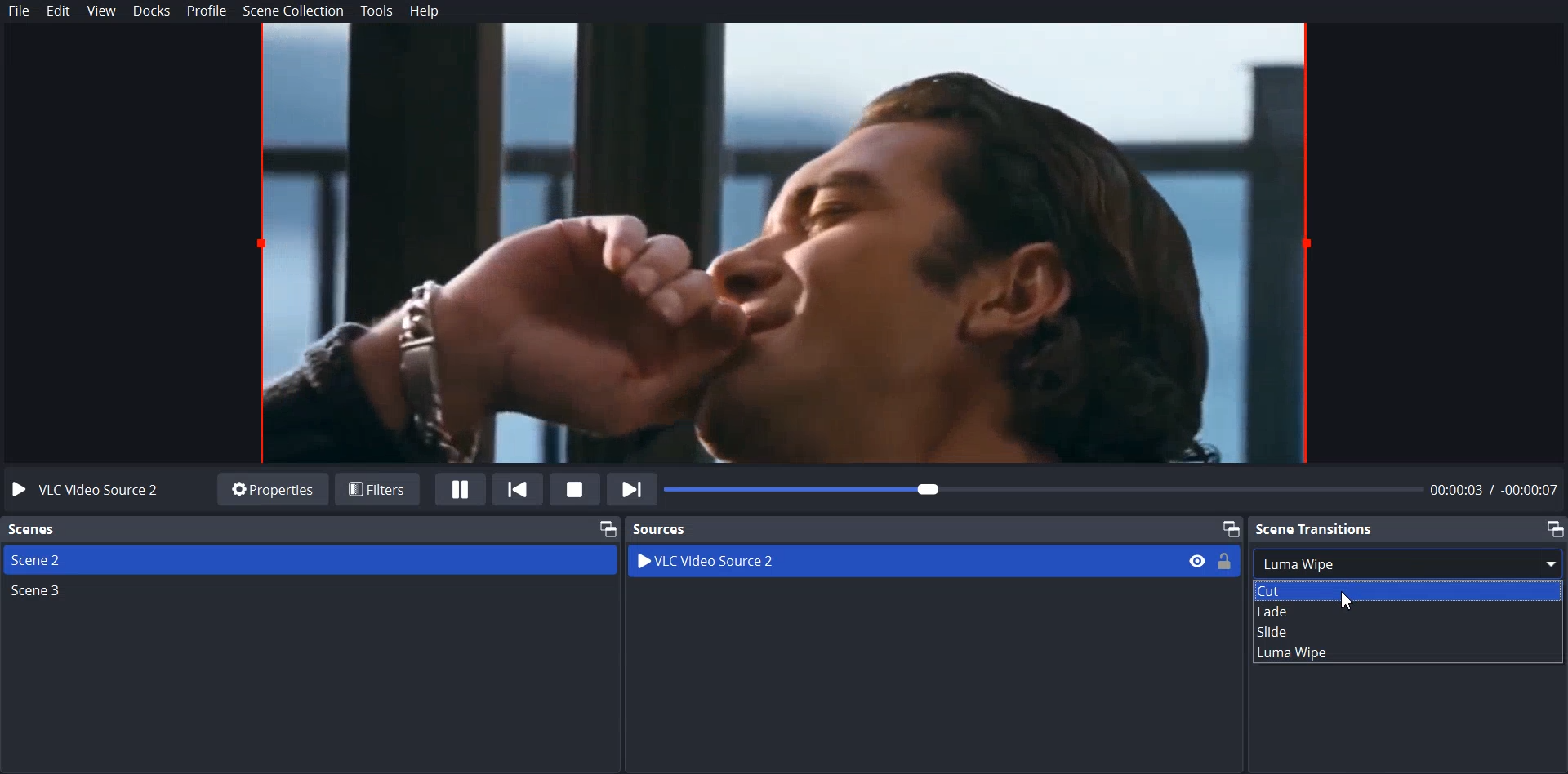 The height and width of the screenshot is (774, 1568). I want to click on File Preview window, so click(792, 243).